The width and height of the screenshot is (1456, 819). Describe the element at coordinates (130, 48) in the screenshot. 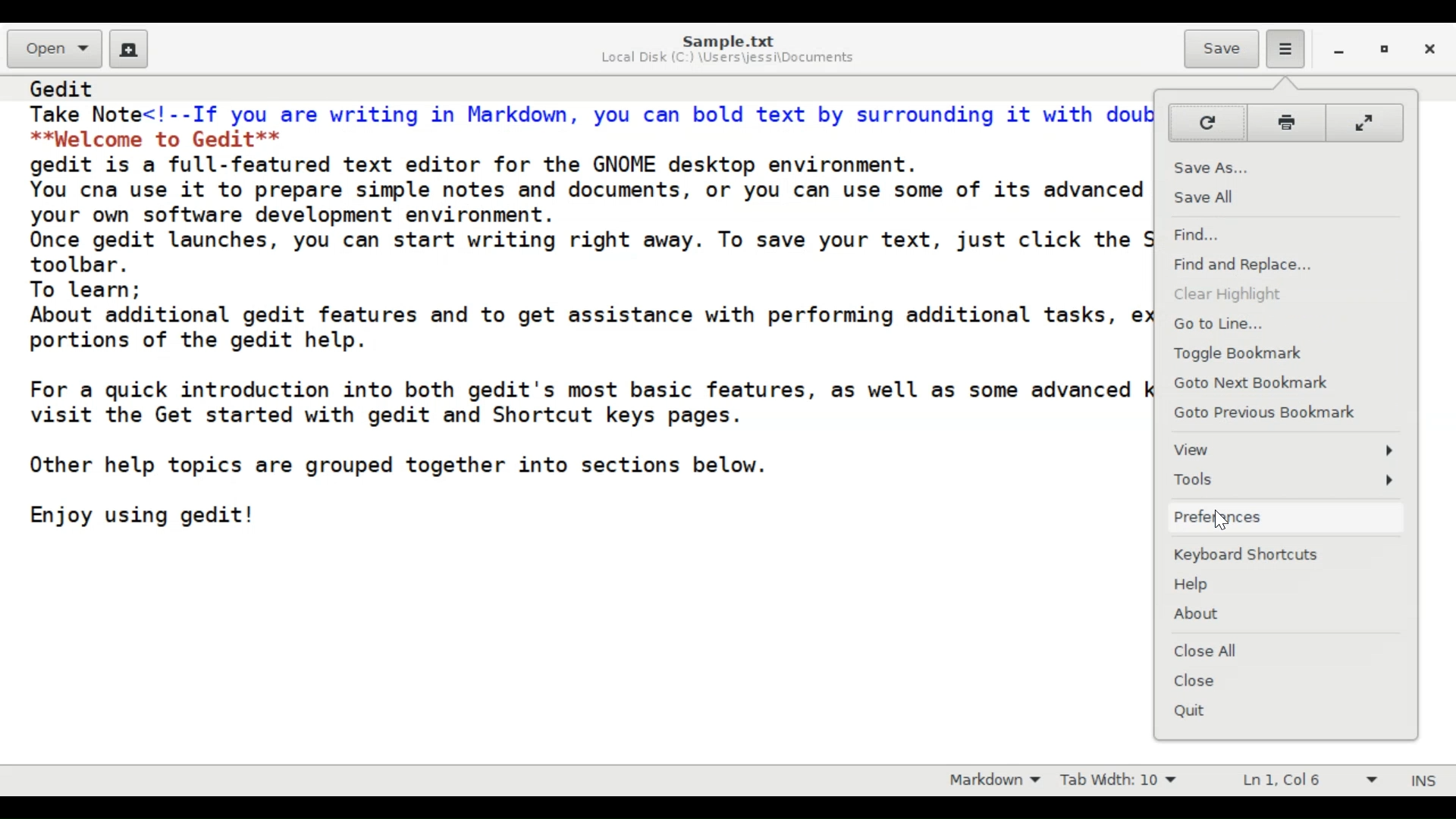

I see `Create a new document` at that location.